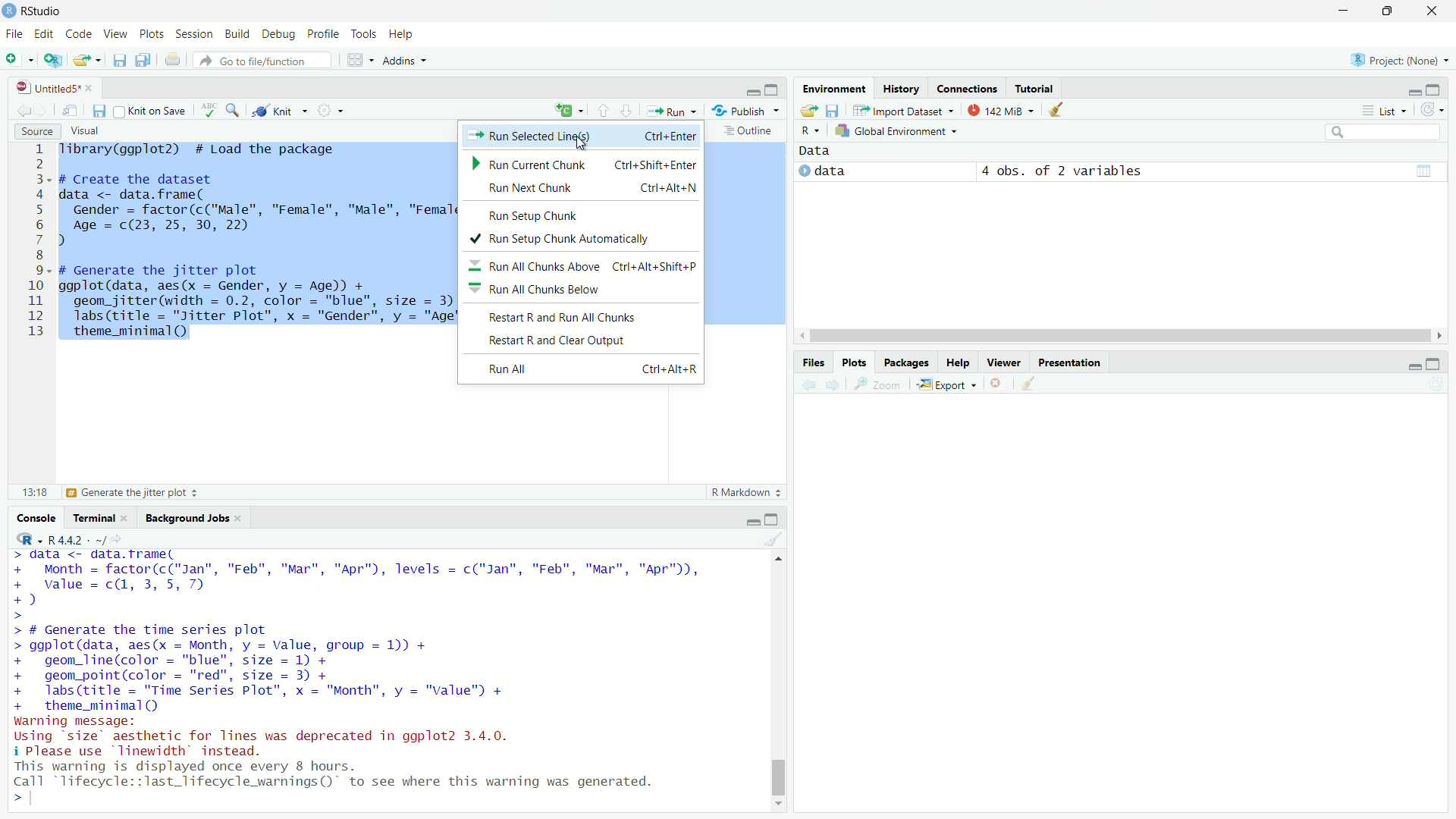 This screenshot has height=819, width=1456. What do you see at coordinates (1388, 133) in the screenshot?
I see `search field` at bounding box center [1388, 133].